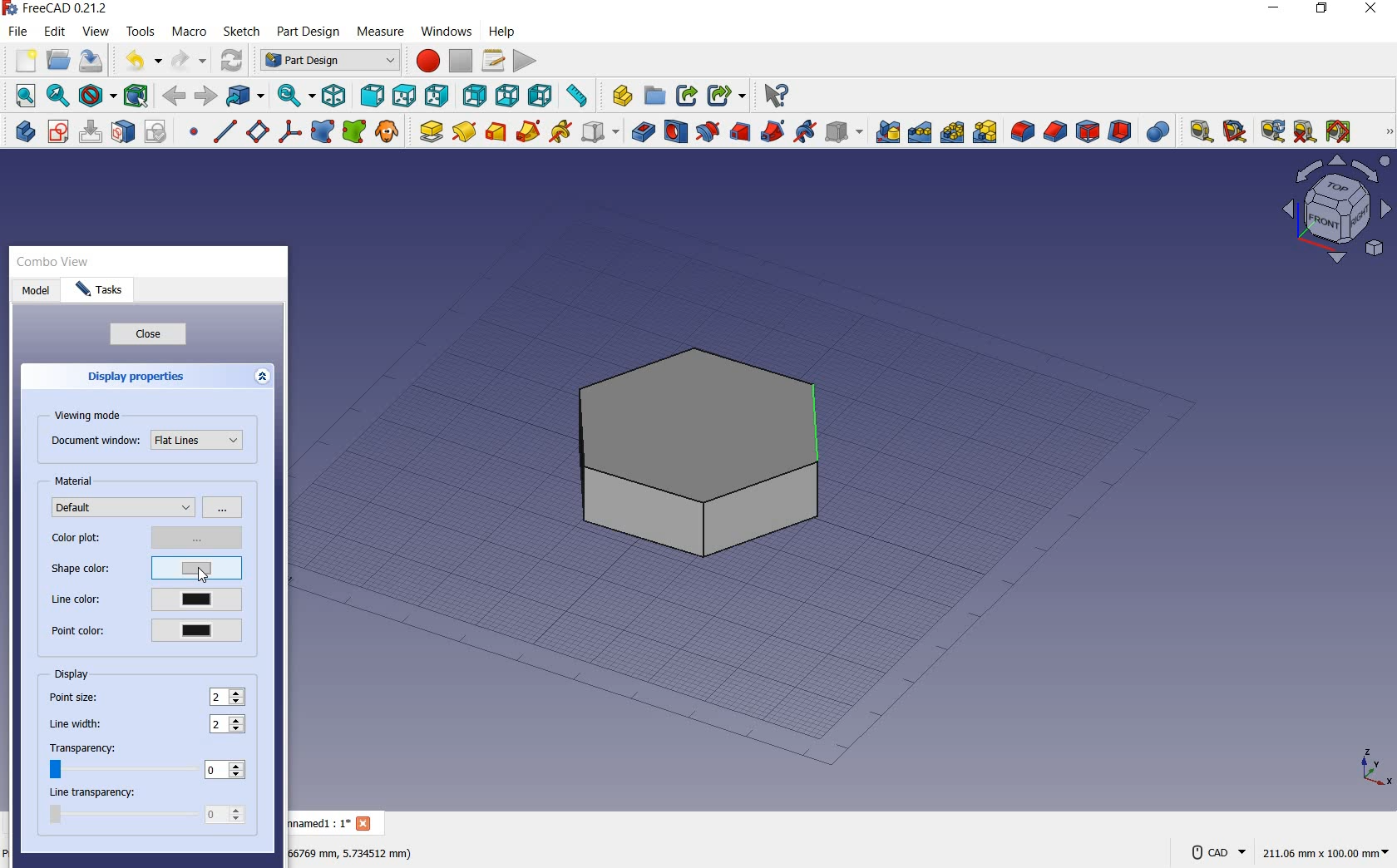 This screenshot has height=868, width=1397. What do you see at coordinates (674, 131) in the screenshot?
I see `hole` at bounding box center [674, 131].